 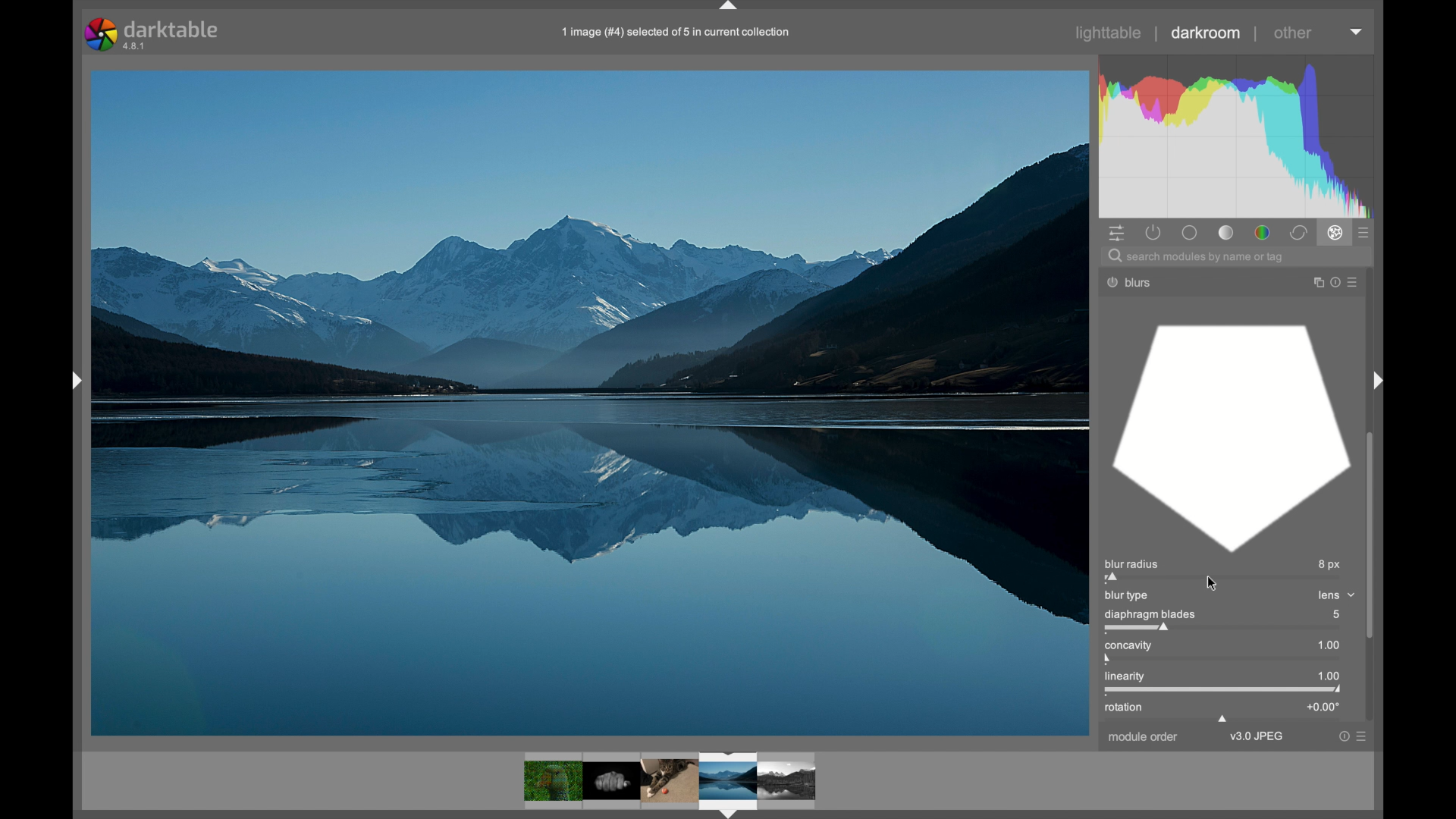 What do you see at coordinates (1293, 33) in the screenshot?
I see `other` at bounding box center [1293, 33].